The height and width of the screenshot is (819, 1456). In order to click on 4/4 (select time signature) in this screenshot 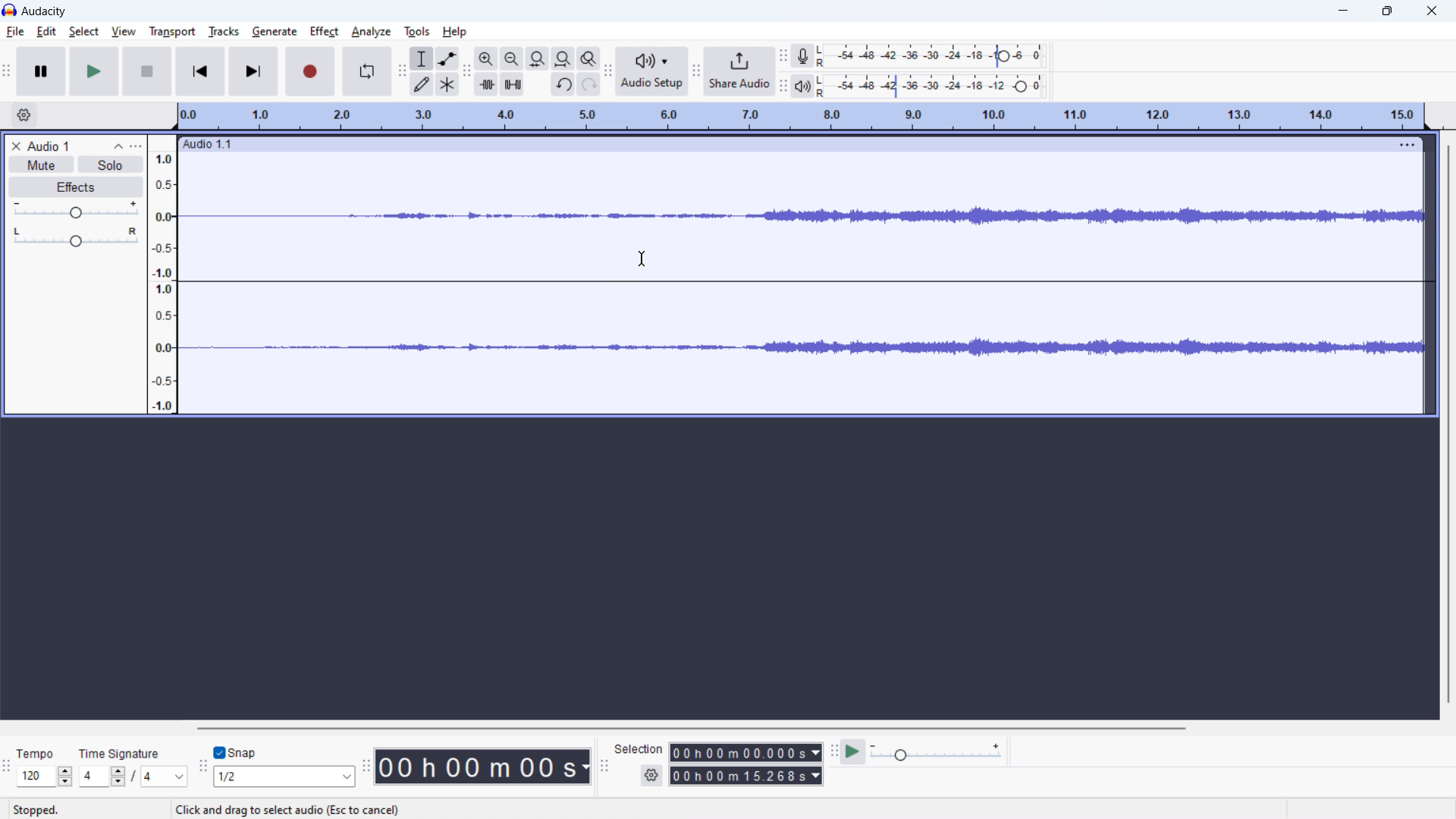, I will do `click(133, 776)`.